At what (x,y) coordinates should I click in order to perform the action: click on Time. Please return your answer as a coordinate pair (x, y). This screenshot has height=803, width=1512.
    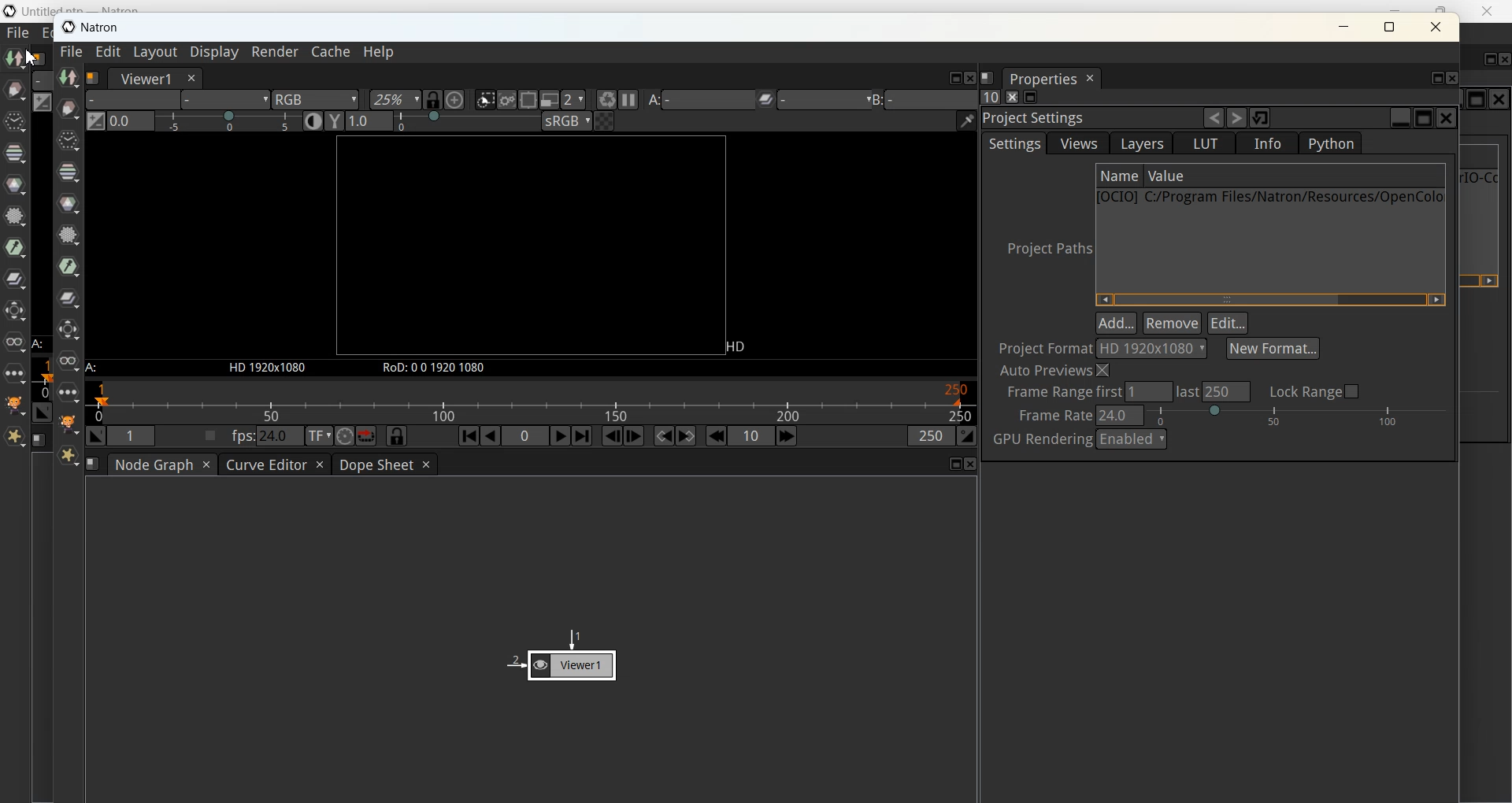
    Looking at the image, I should click on (15, 122).